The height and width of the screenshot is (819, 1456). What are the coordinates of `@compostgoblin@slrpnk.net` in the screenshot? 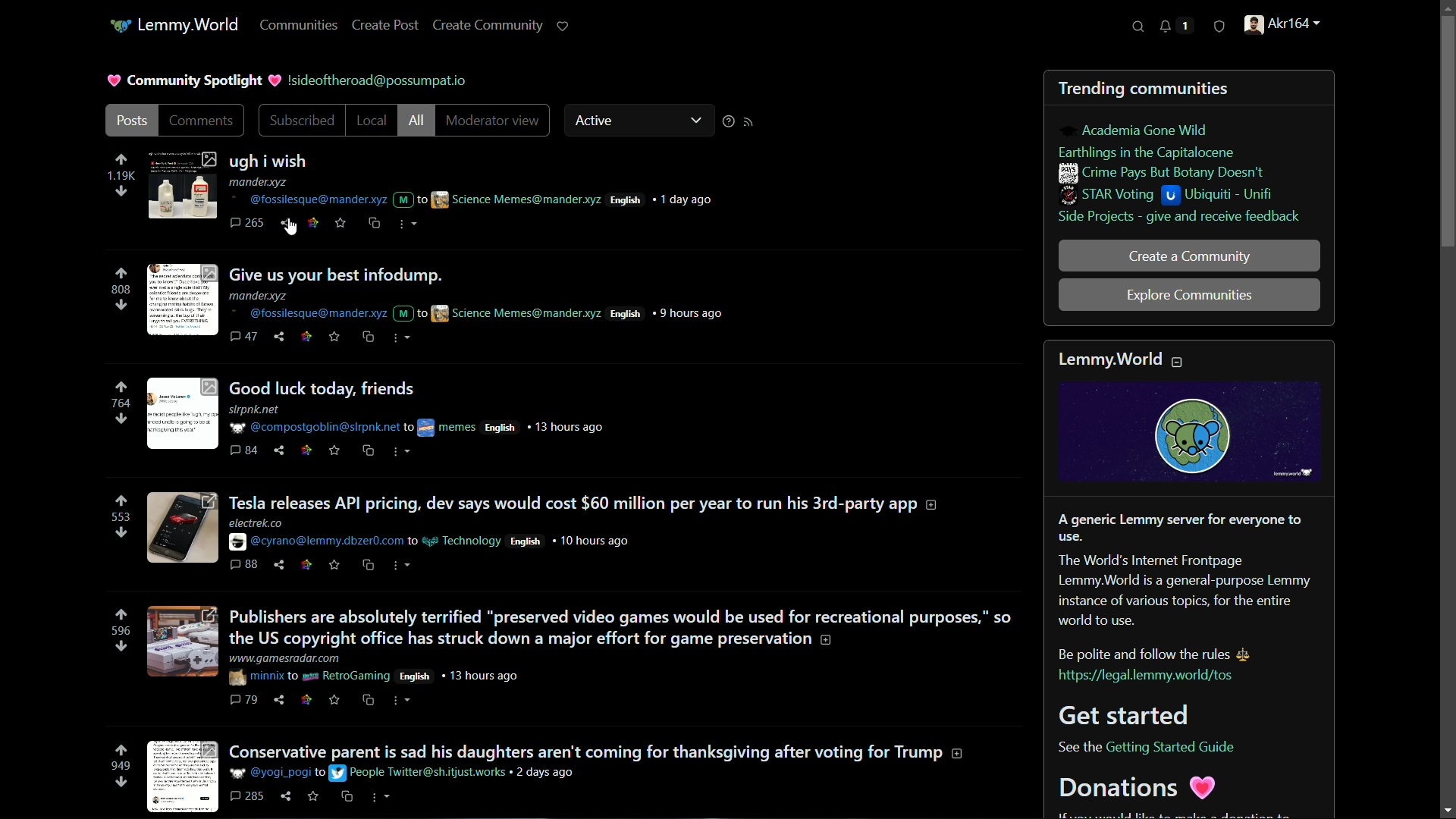 It's located at (312, 428).